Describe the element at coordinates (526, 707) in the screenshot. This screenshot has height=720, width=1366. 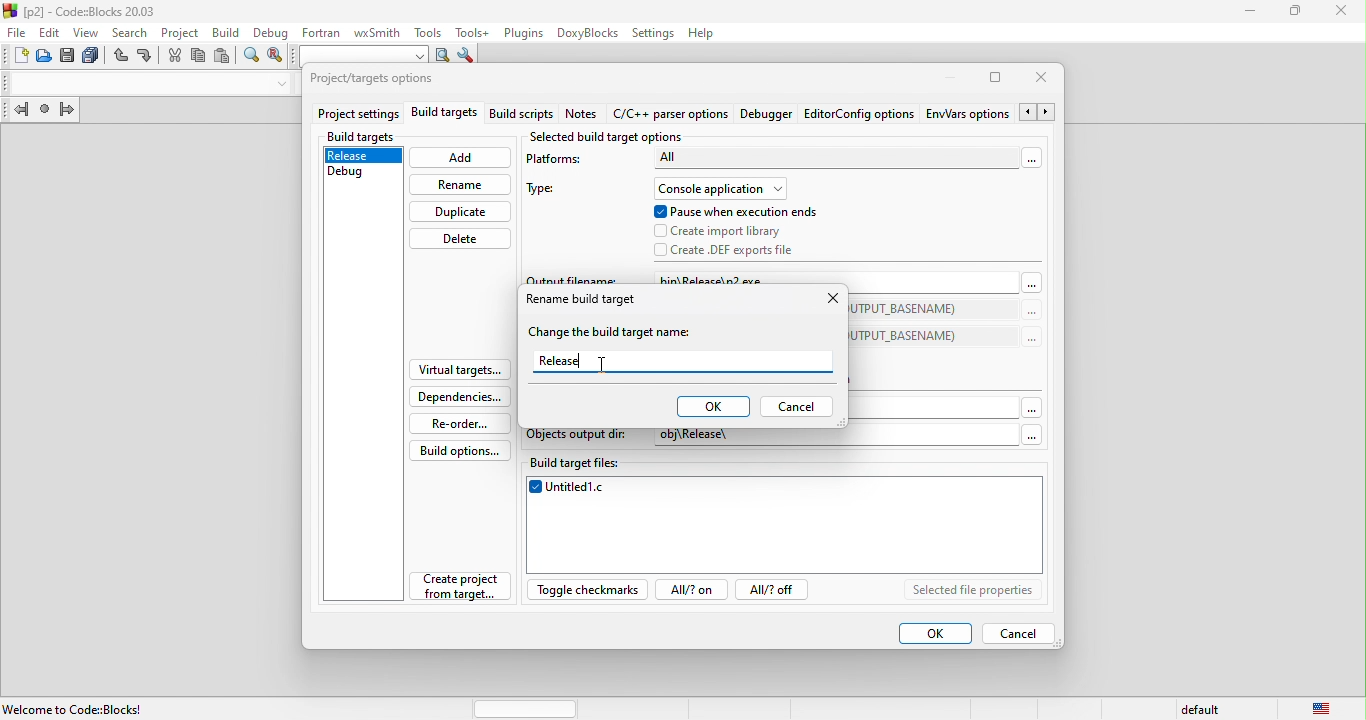
I see `horizontal scroll bar` at that location.